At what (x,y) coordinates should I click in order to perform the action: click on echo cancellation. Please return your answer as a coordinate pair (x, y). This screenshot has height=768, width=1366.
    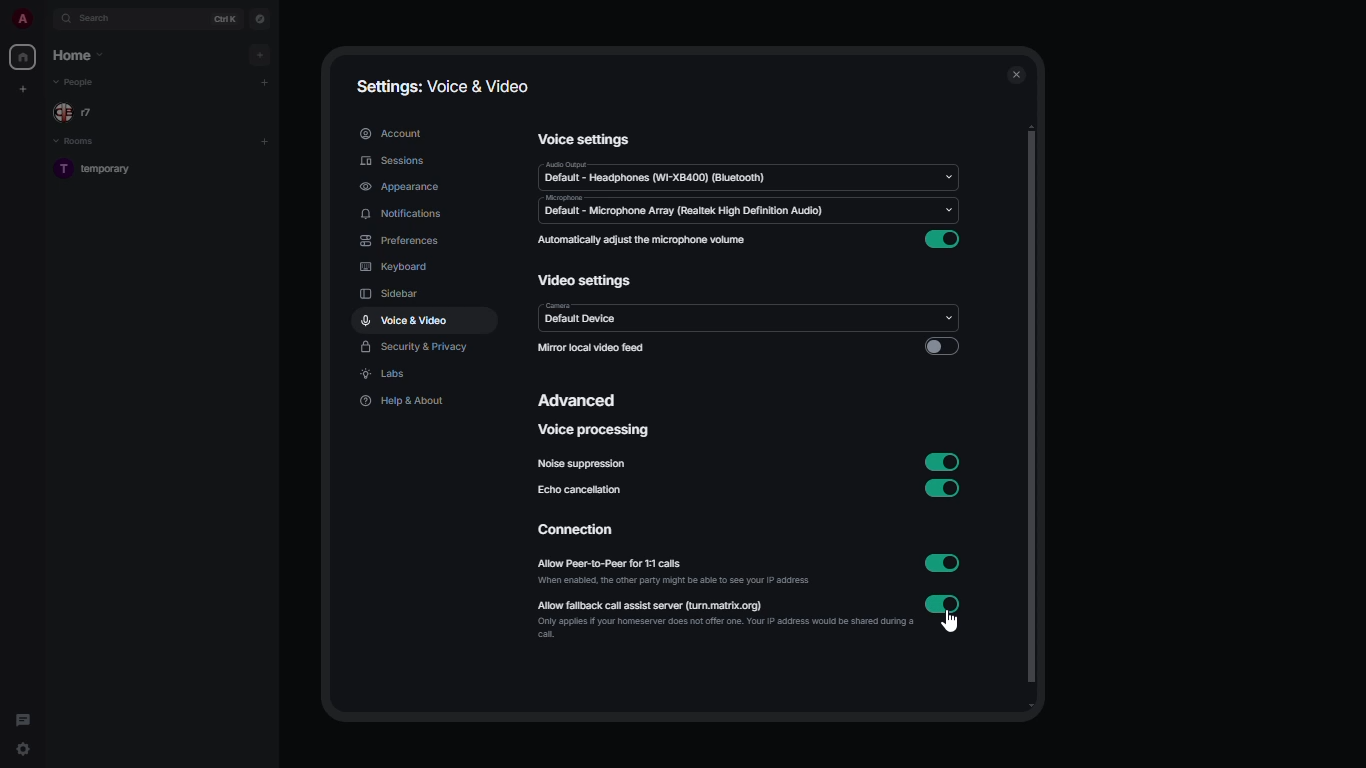
    Looking at the image, I should click on (583, 493).